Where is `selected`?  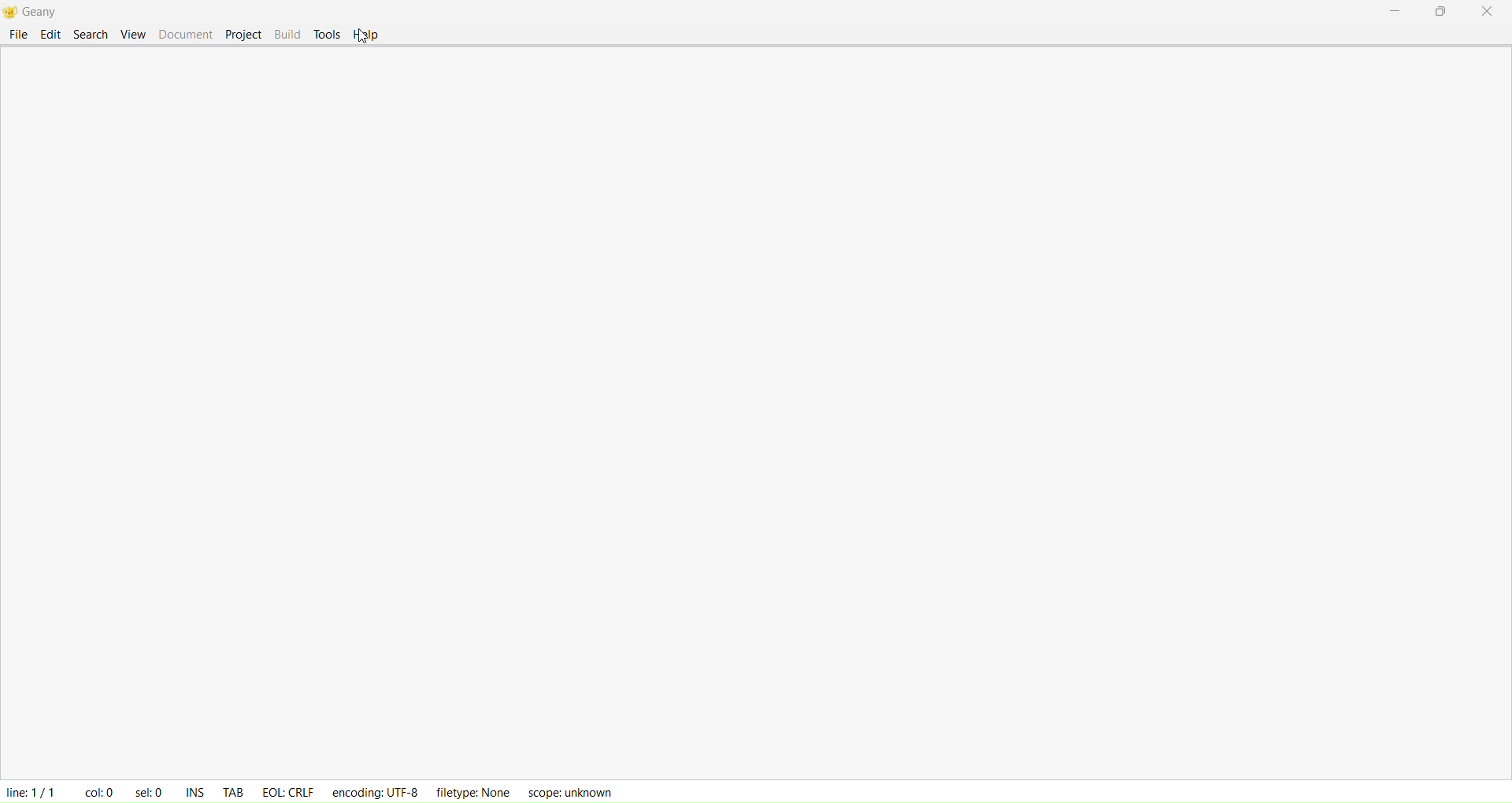 selected is located at coordinates (146, 789).